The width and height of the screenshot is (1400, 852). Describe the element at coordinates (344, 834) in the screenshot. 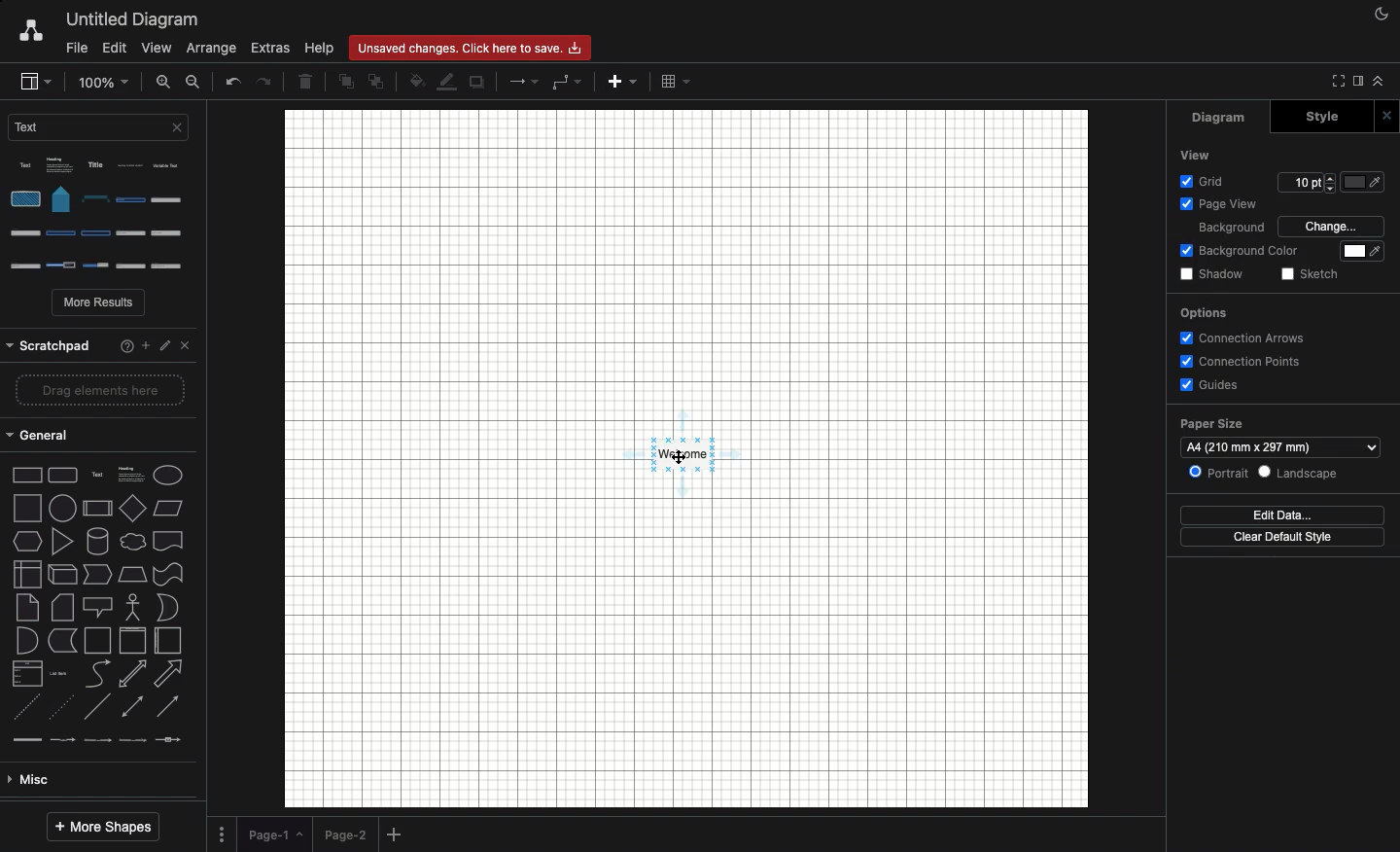

I see `Page 2` at that location.